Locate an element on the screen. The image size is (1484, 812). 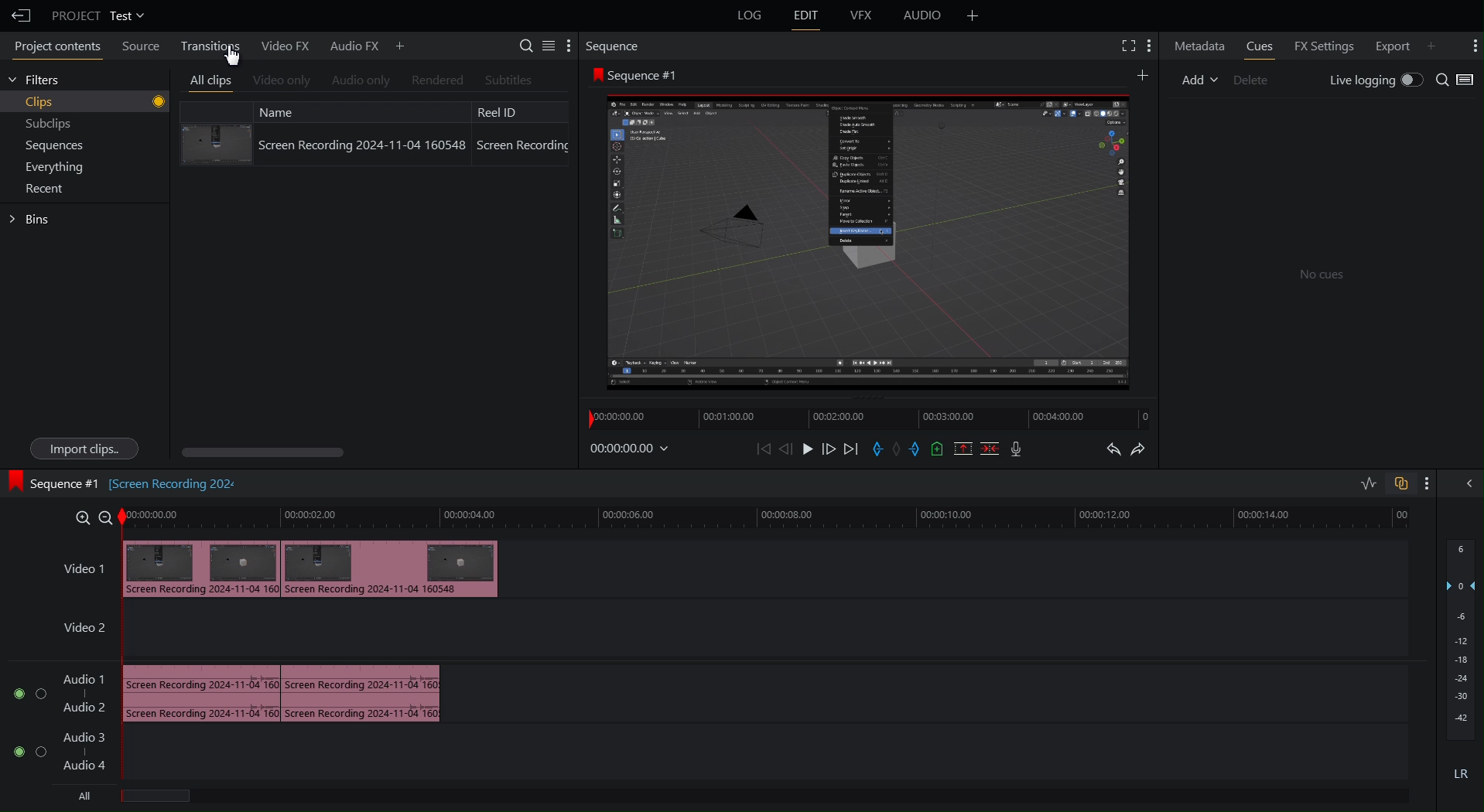
Sequence #1  is located at coordinates (50, 481).